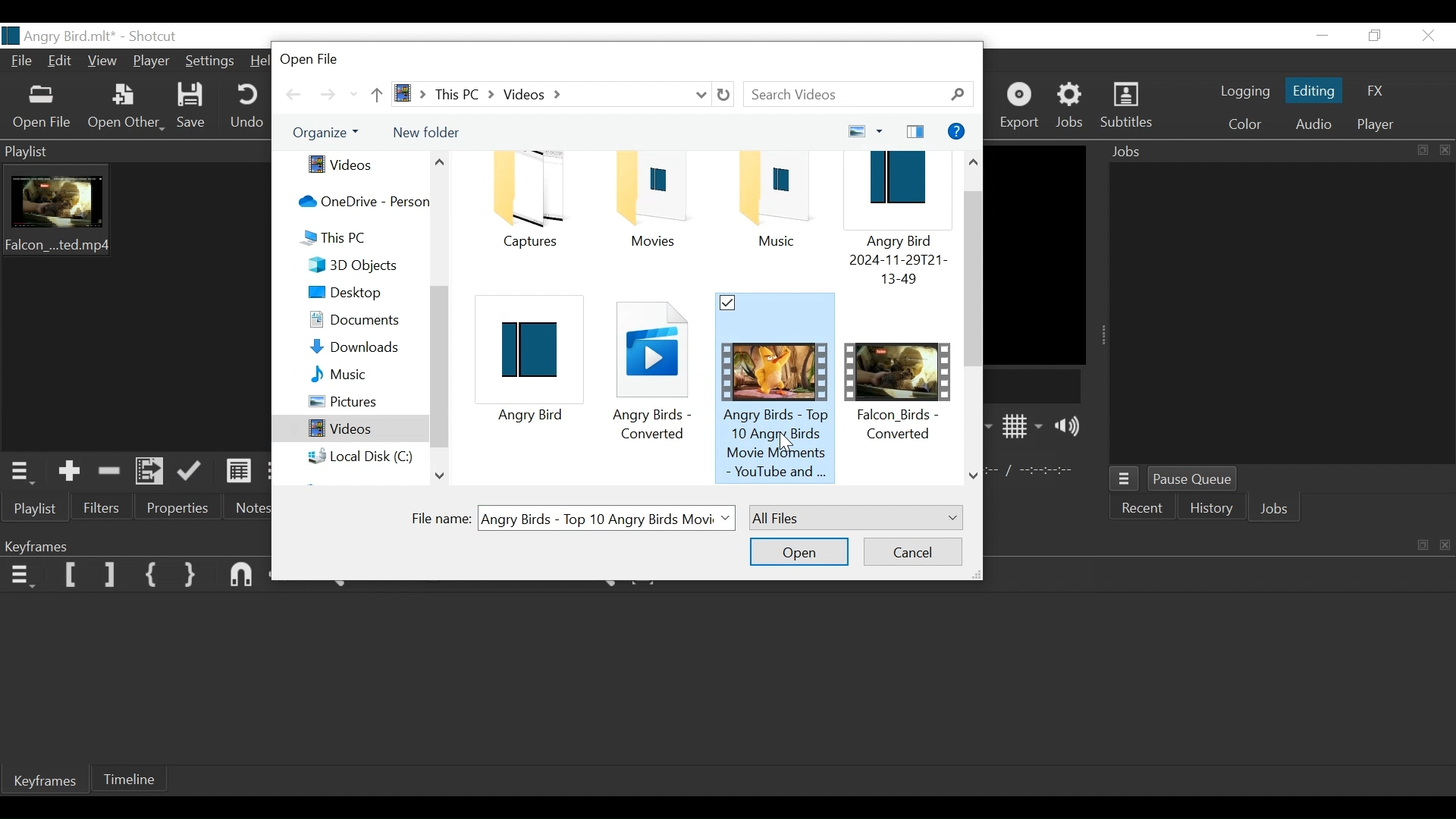 Image resolution: width=1456 pixels, height=819 pixels. Describe the element at coordinates (361, 402) in the screenshot. I see `Pictures` at that location.